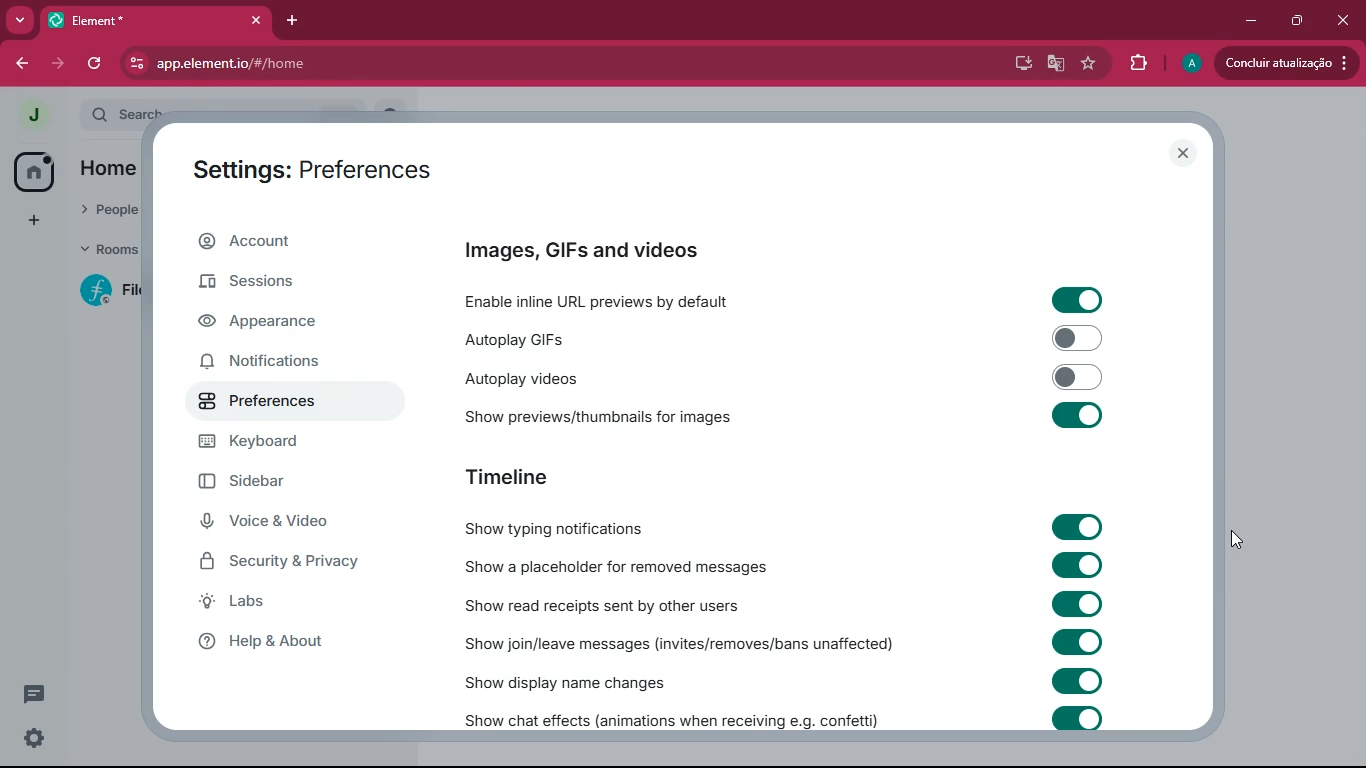  Describe the element at coordinates (1192, 63) in the screenshot. I see `profile picture` at that location.